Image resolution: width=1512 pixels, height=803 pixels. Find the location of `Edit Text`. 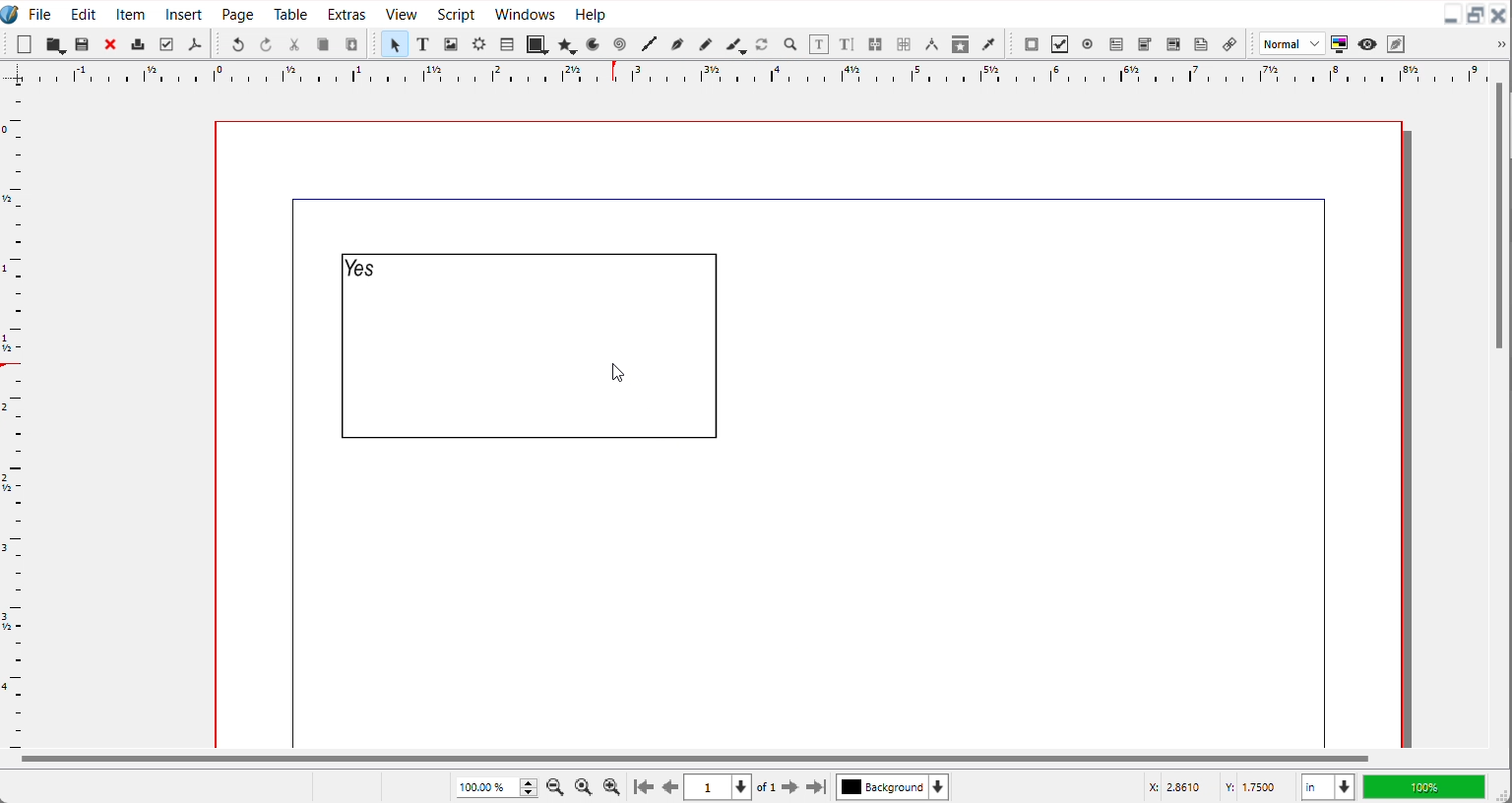

Edit Text is located at coordinates (849, 45).